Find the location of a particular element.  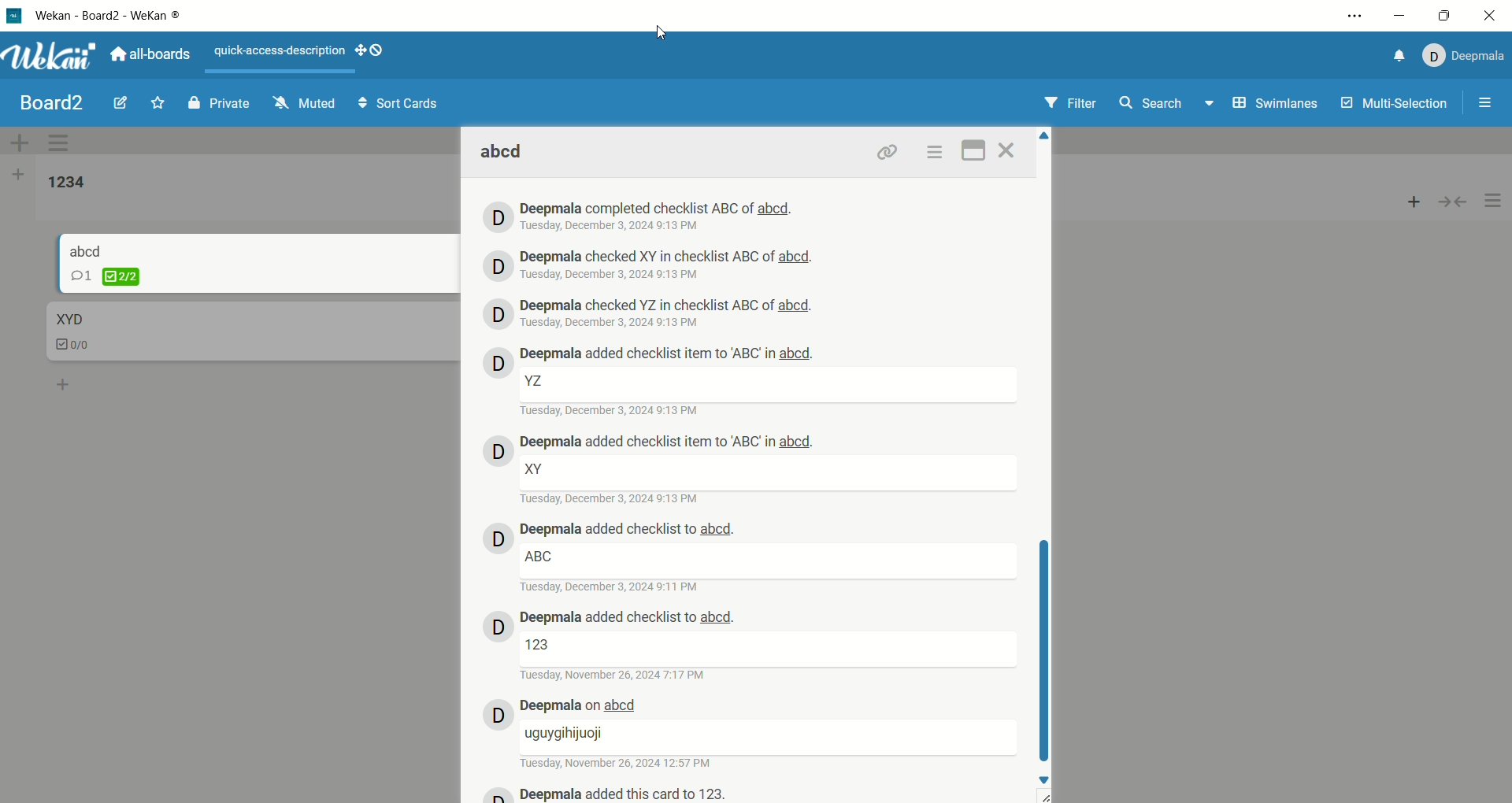

cursor is located at coordinates (664, 31).